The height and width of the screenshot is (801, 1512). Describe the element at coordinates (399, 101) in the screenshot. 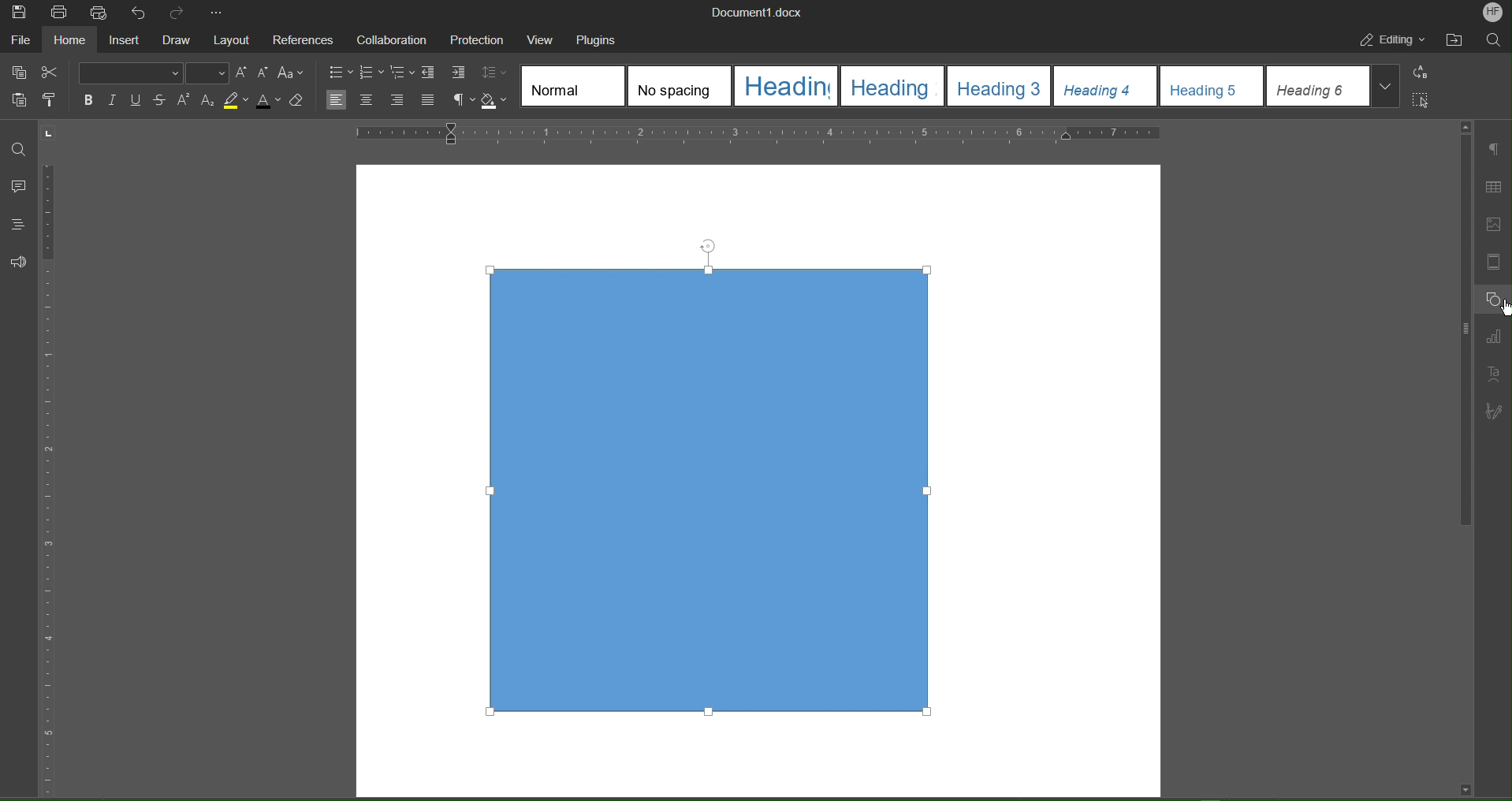

I see `Right Align` at that location.